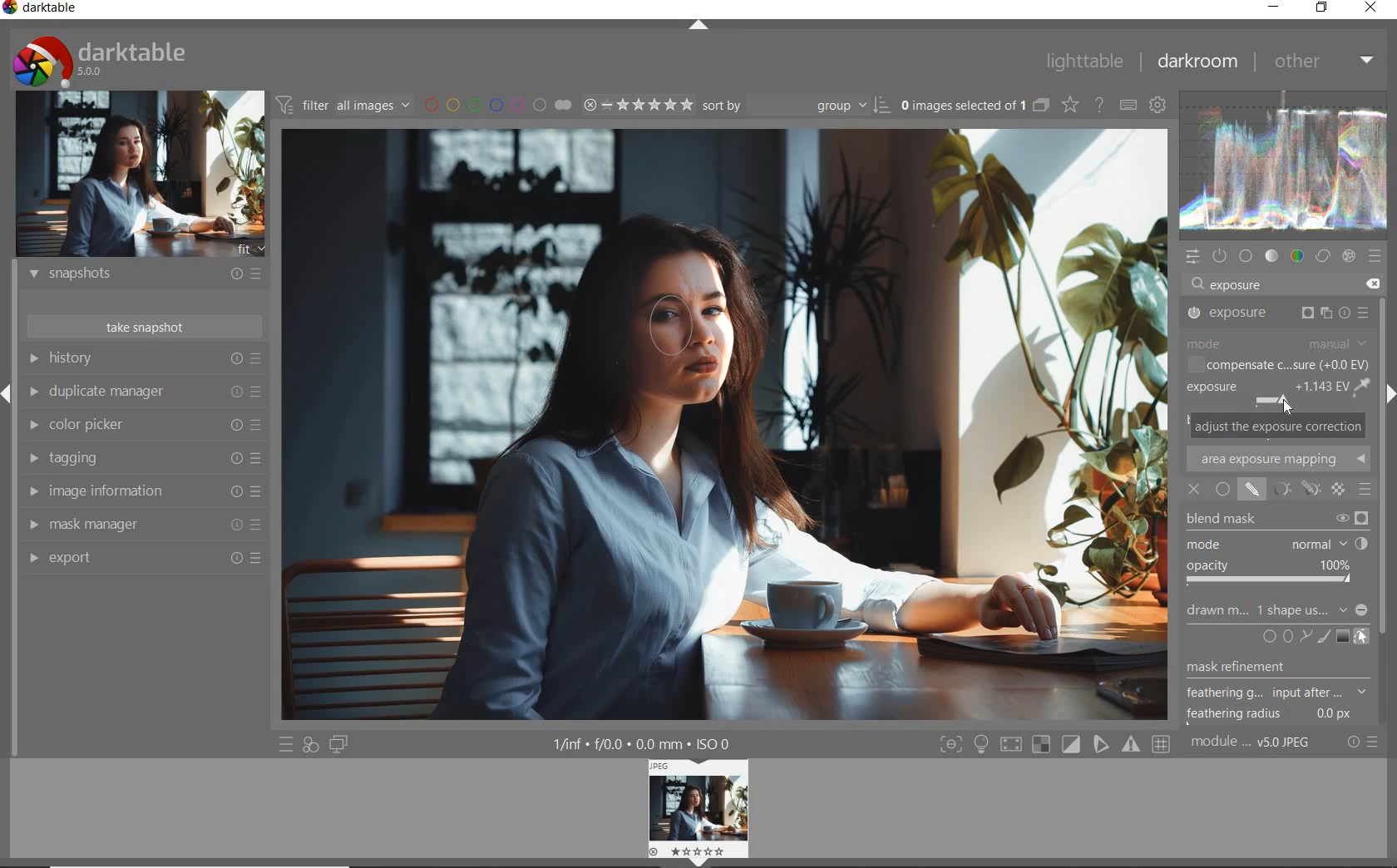 Image resolution: width=1397 pixels, height=868 pixels. Describe the element at coordinates (1303, 638) in the screenshot. I see `ADD PATH` at that location.